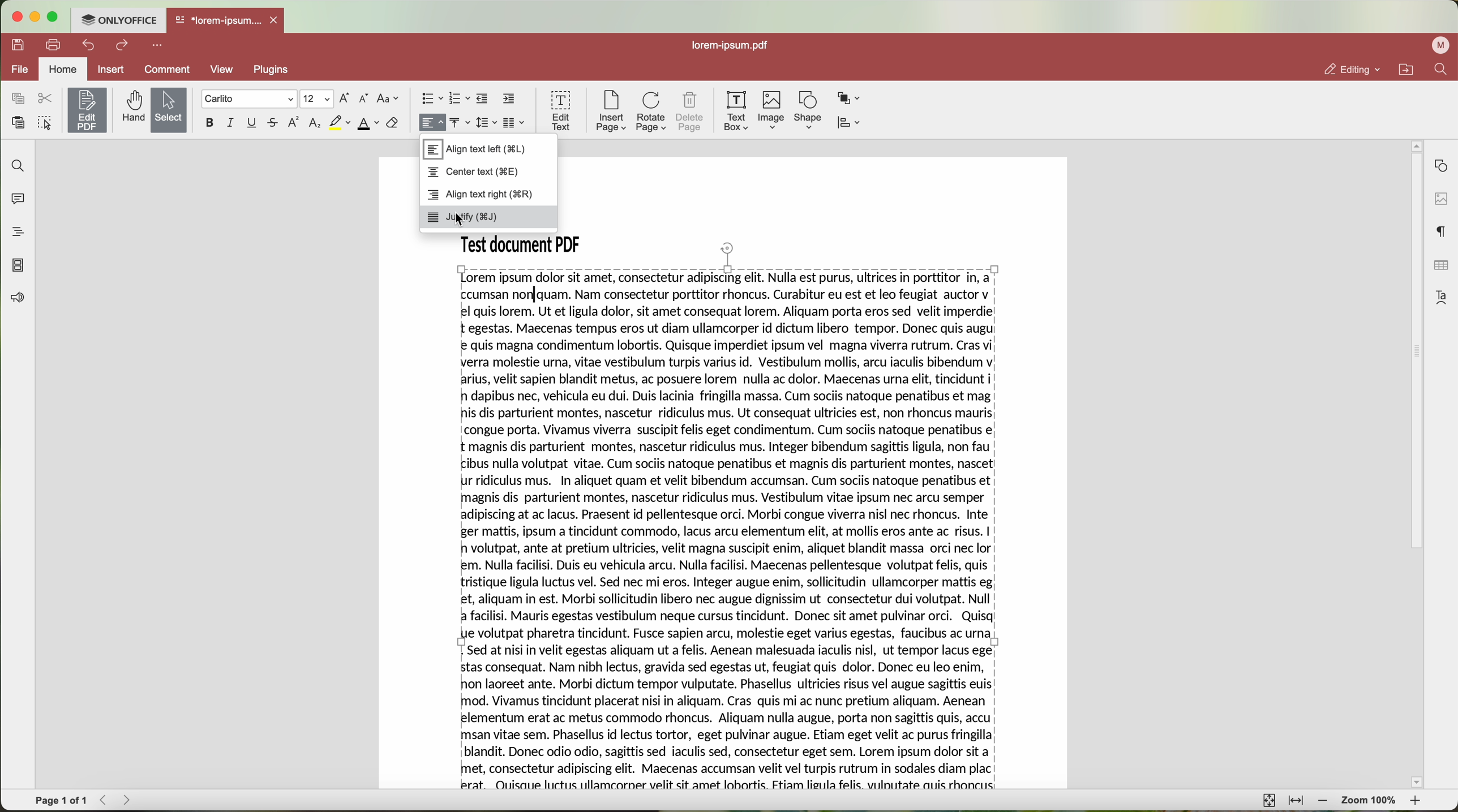  Describe the element at coordinates (18, 265) in the screenshot. I see `page thumbnails` at that location.